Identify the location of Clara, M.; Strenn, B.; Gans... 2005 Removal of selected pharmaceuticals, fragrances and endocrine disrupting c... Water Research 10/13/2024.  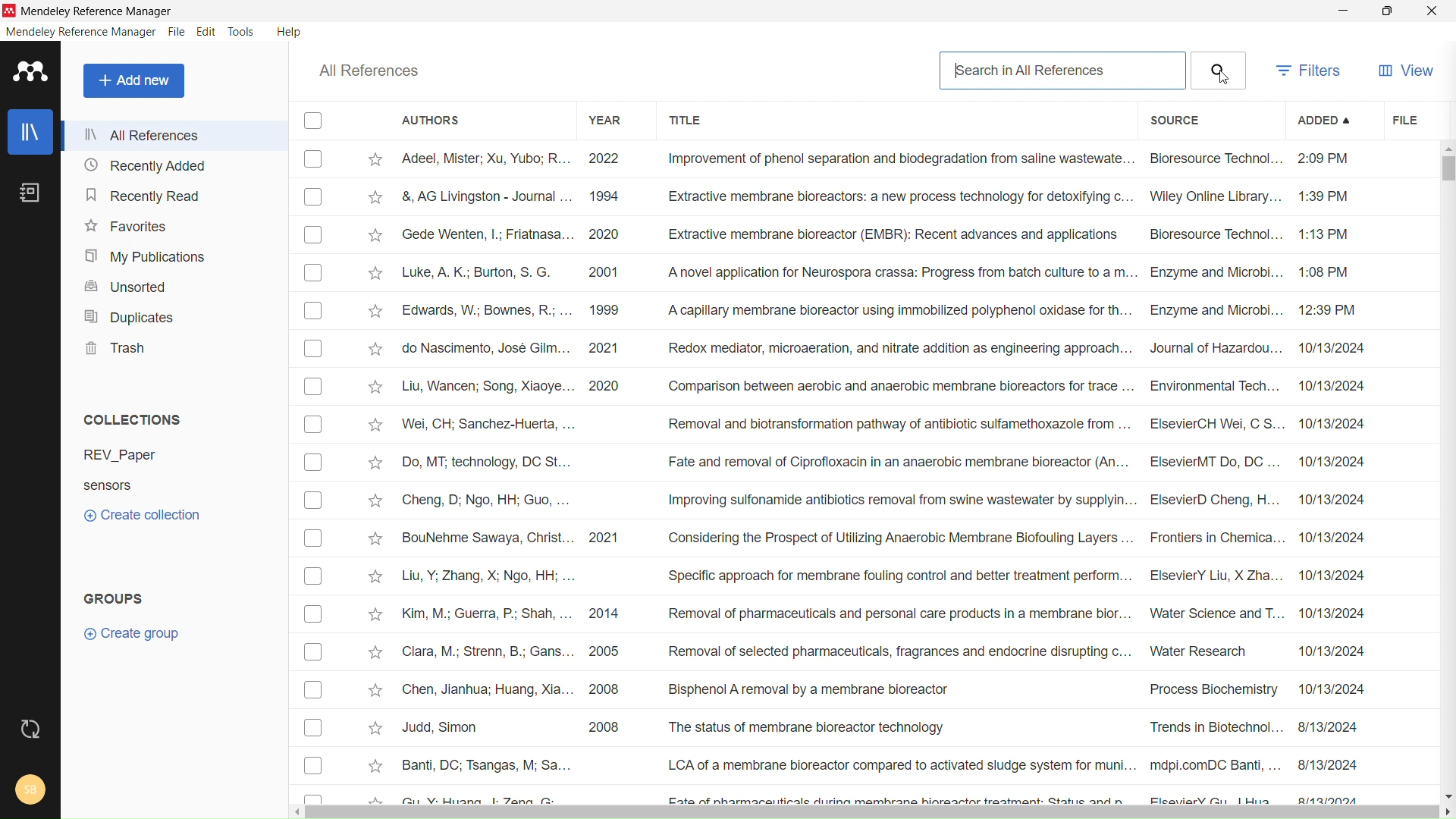
(892, 649).